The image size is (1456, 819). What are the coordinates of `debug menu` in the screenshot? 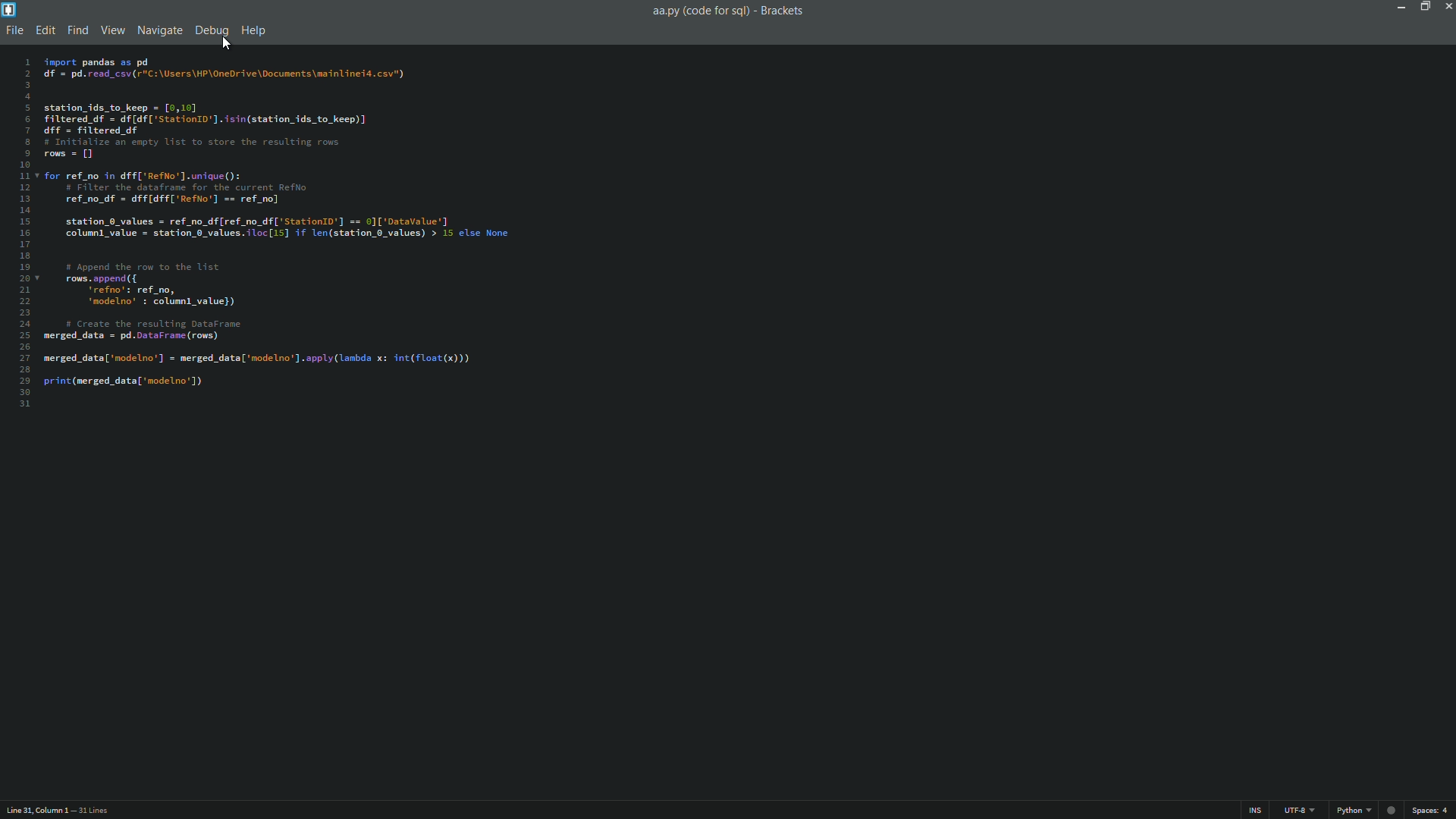 It's located at (212, 30).